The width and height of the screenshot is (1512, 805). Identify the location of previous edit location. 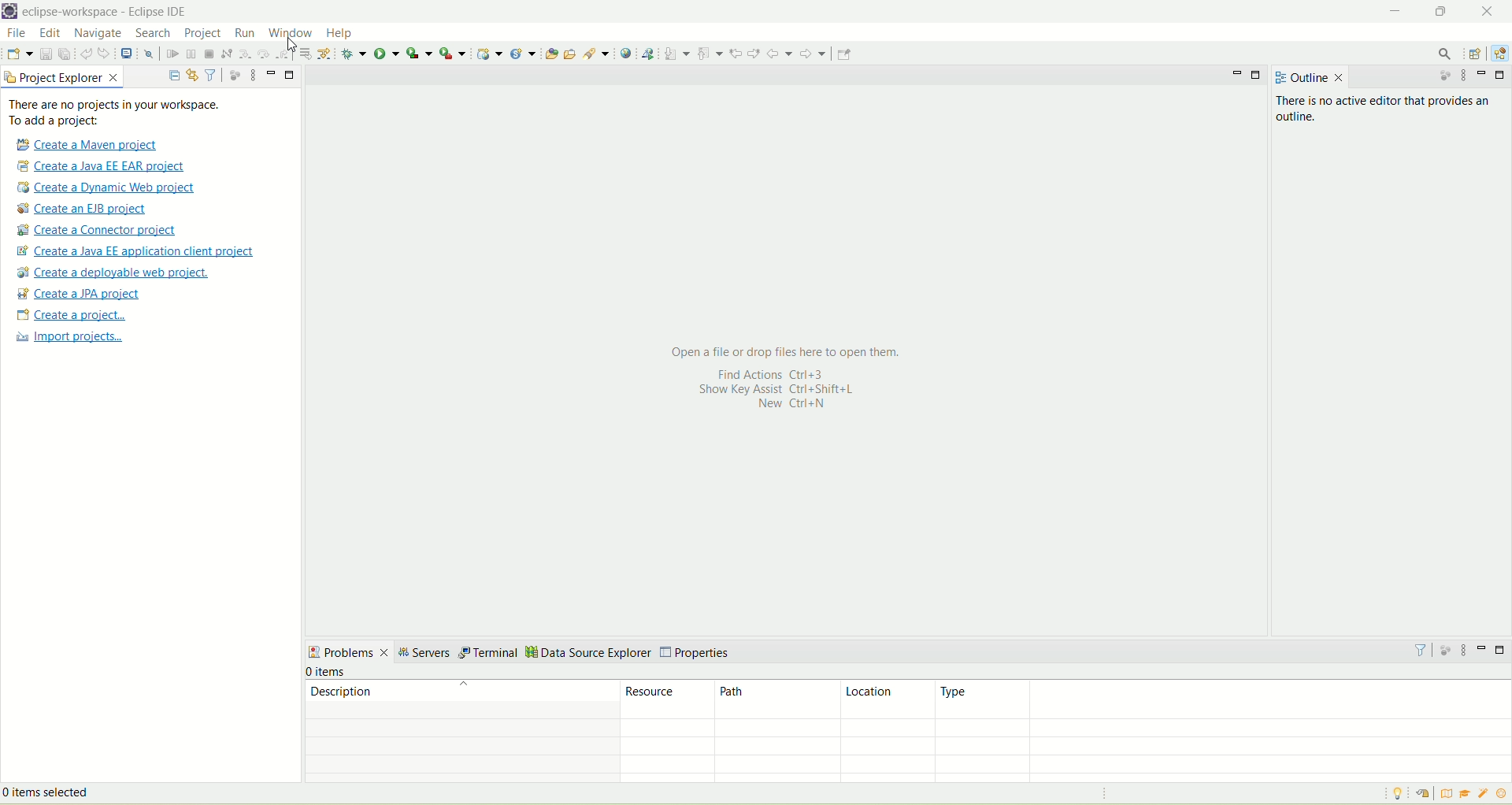
(734, 53).